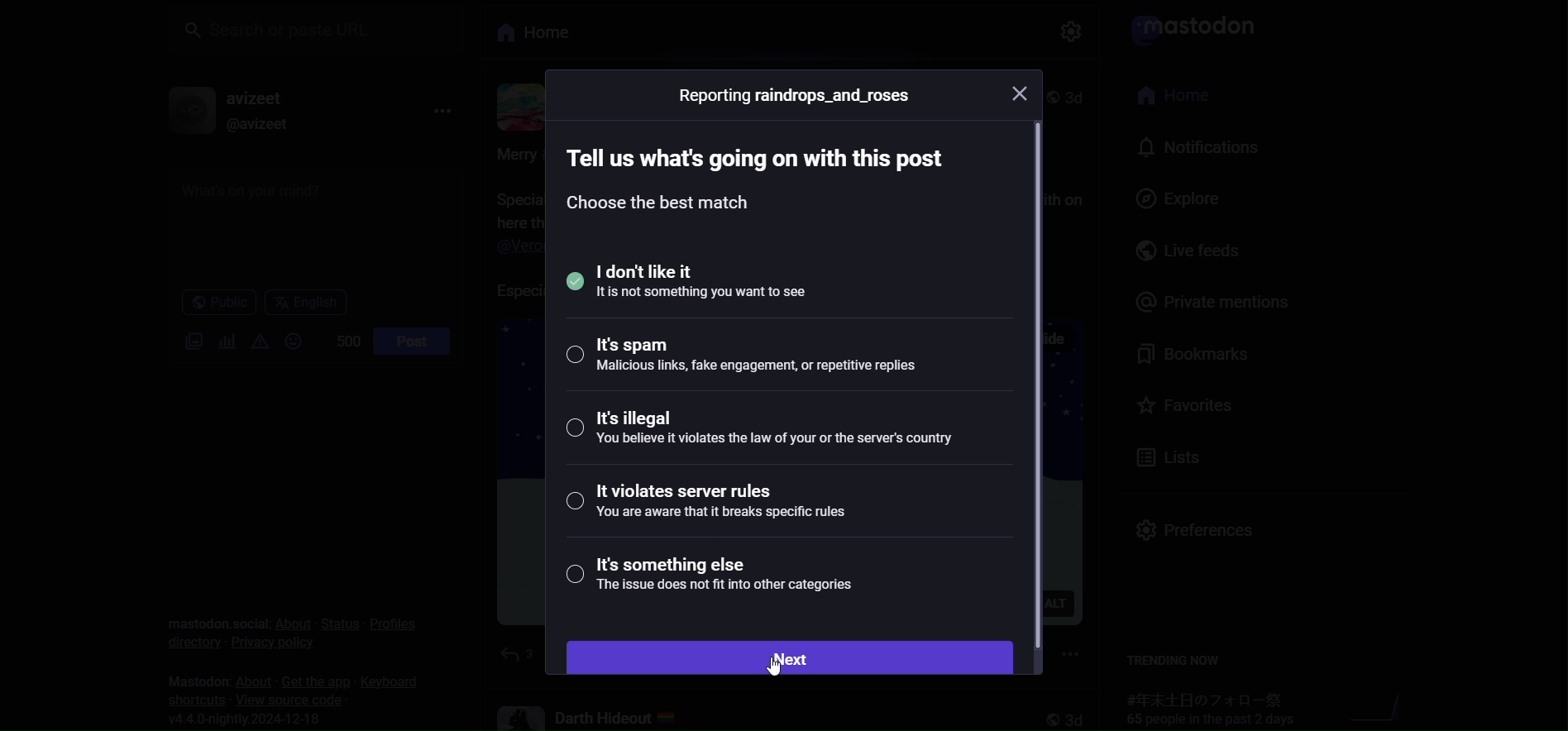 The width and height of the screenshot is (1568, 731). I want to click on scroll bar, so click(1035, 383).